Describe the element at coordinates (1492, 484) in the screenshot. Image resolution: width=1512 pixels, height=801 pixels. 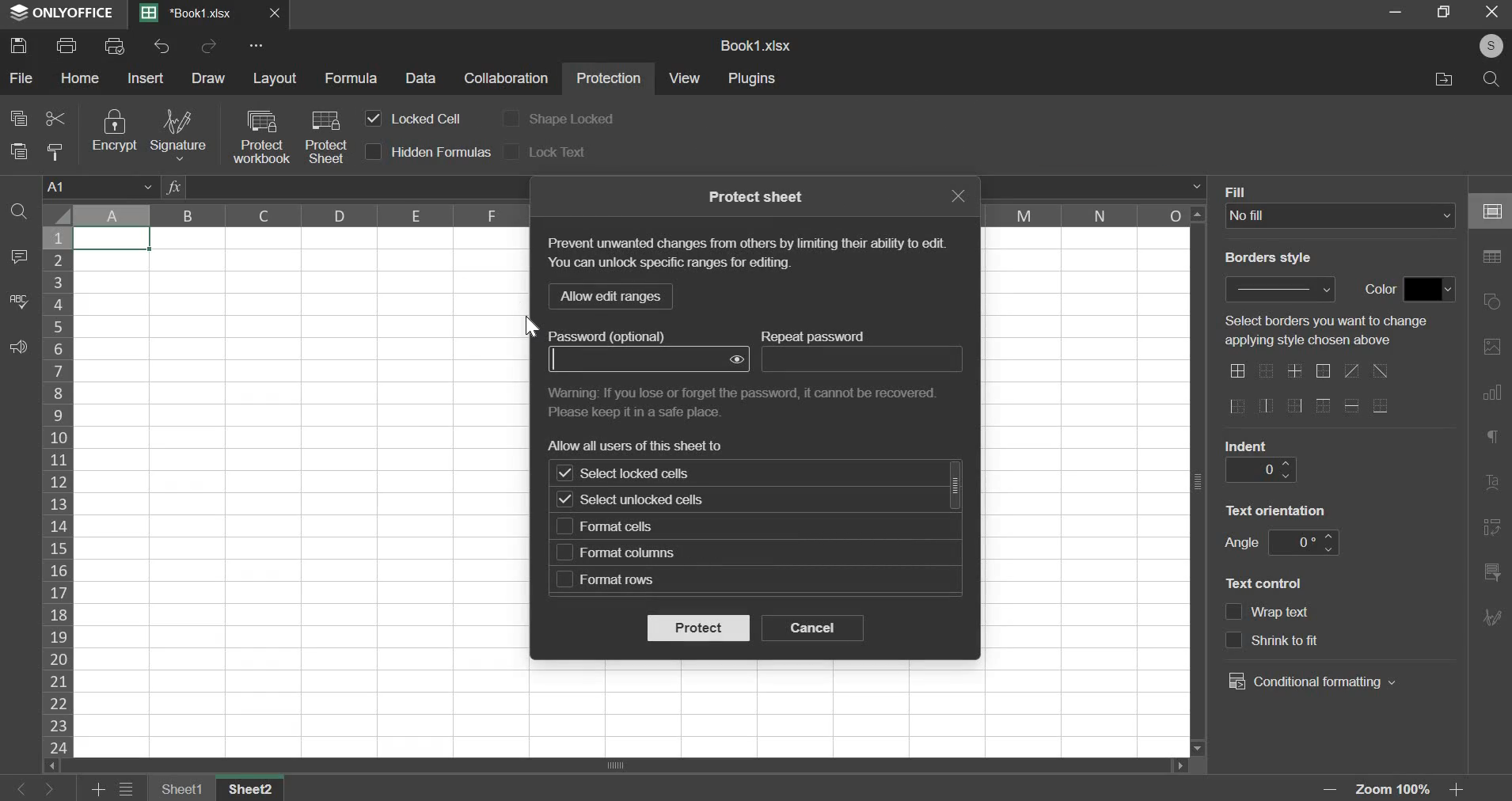
I see `right side bar` at that location.